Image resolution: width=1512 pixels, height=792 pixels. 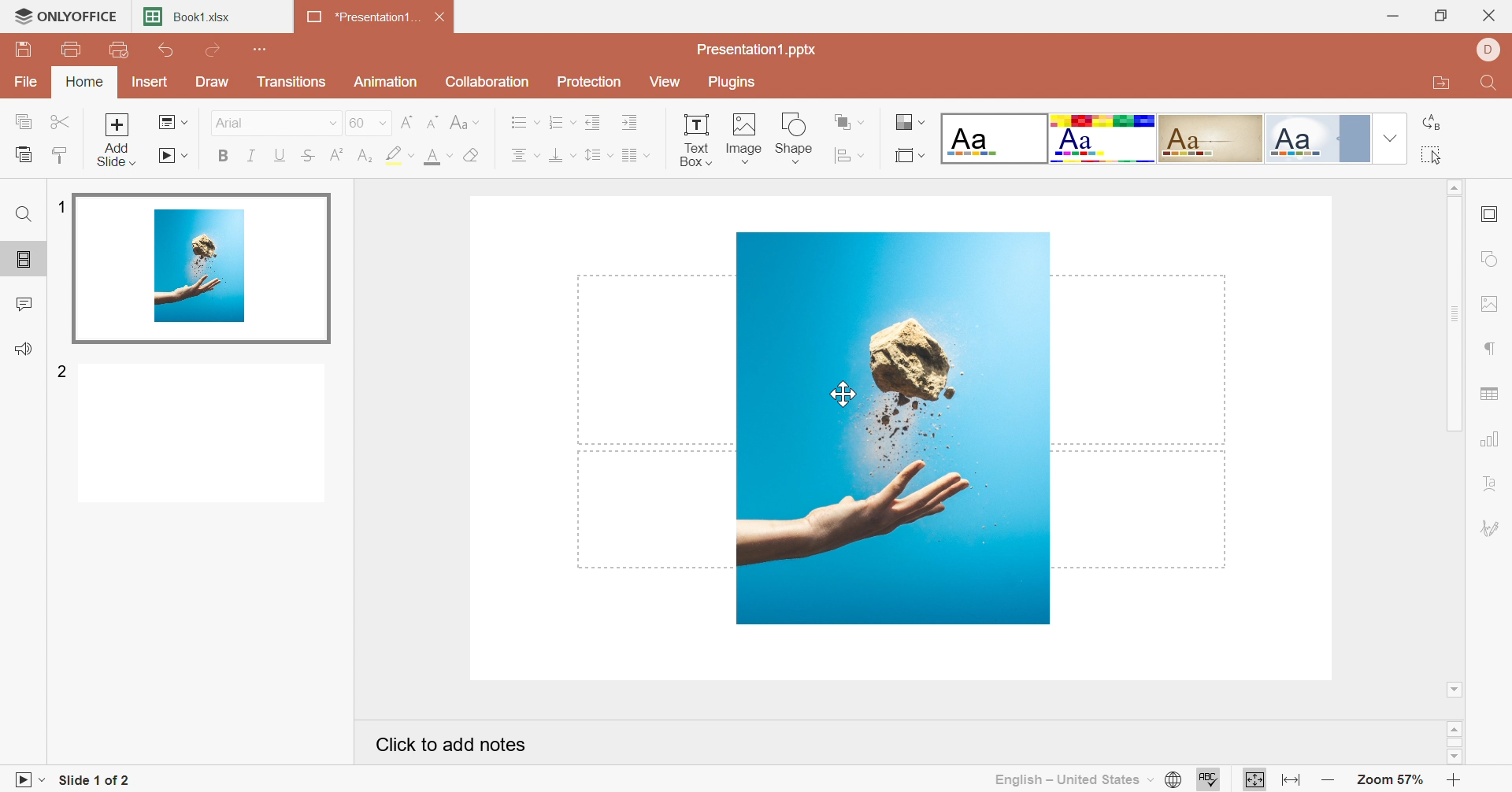 I want to click on Scroll Bar, so click(x=1455, y=313).